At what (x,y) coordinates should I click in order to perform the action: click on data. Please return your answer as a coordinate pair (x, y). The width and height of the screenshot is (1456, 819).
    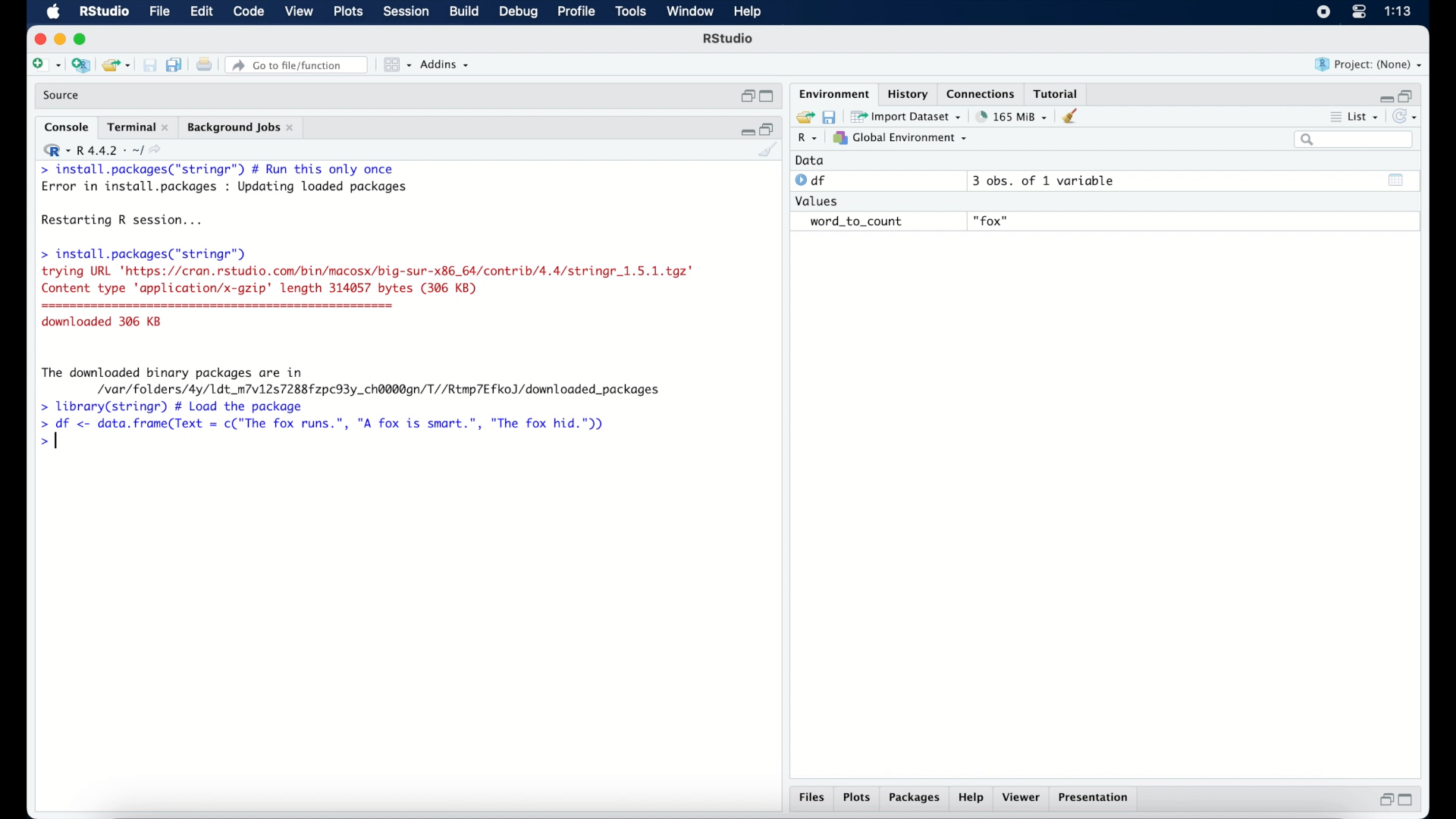
    Looking at the image, I should click on (810, 160).